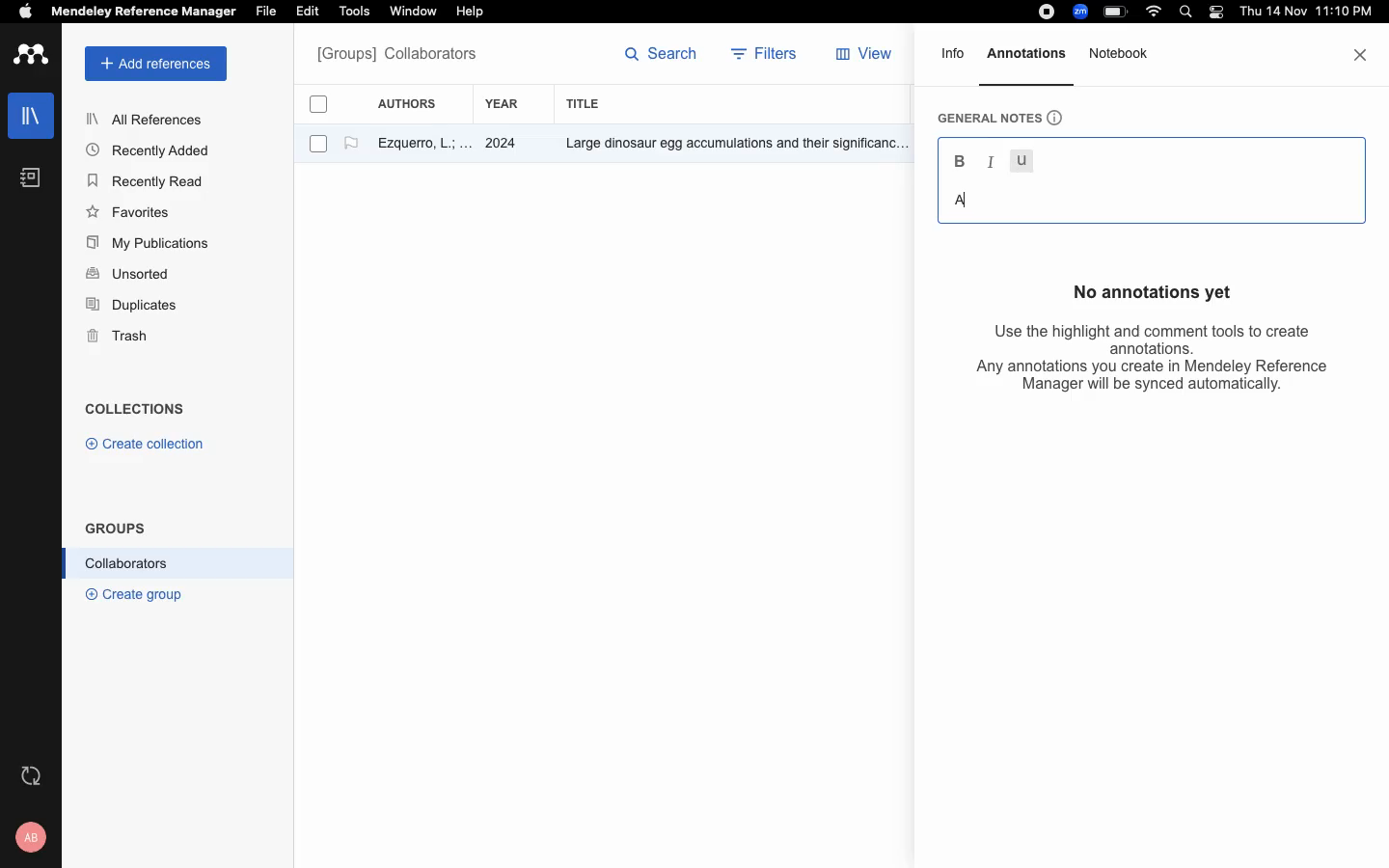  Describe the element at coordinates (1083, 12) in the screenshot. I see `zoom` at that location.